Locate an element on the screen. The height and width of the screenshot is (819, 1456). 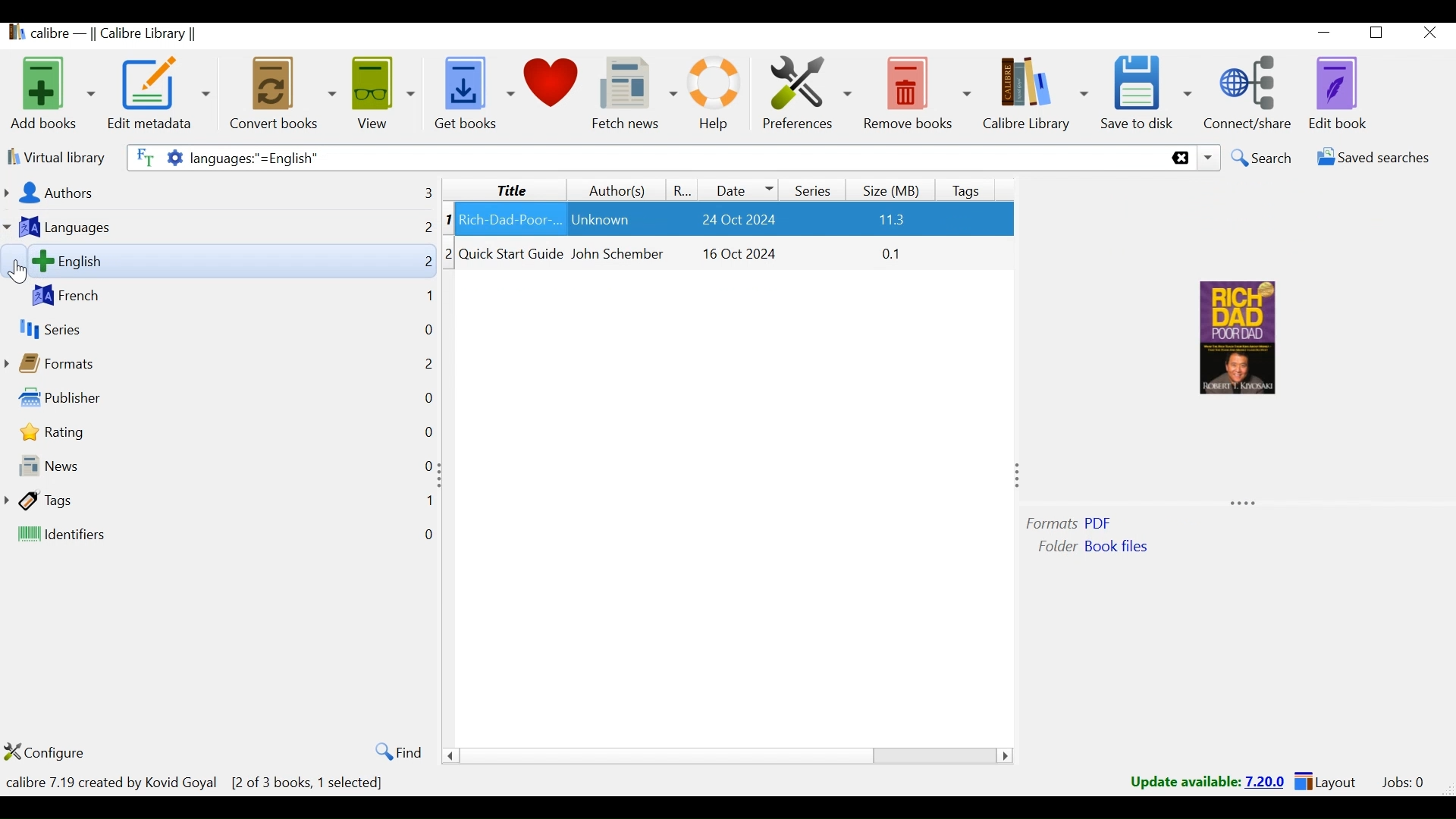
configure is located at coordinates (60, 752).